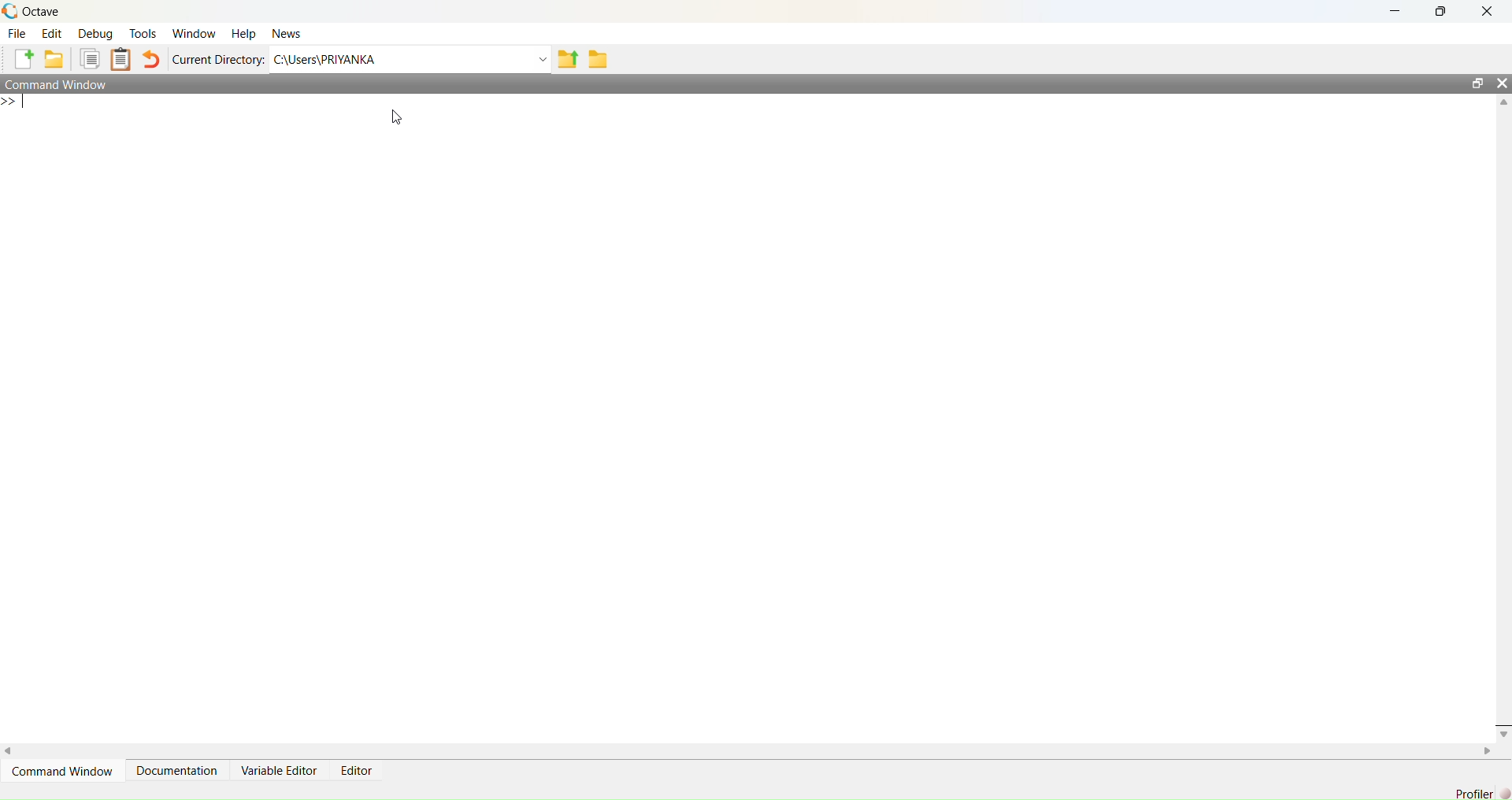  What do you see at coordinates (22, 57) in the screenshot?
I see `New script` at bounding box center [22, 57].